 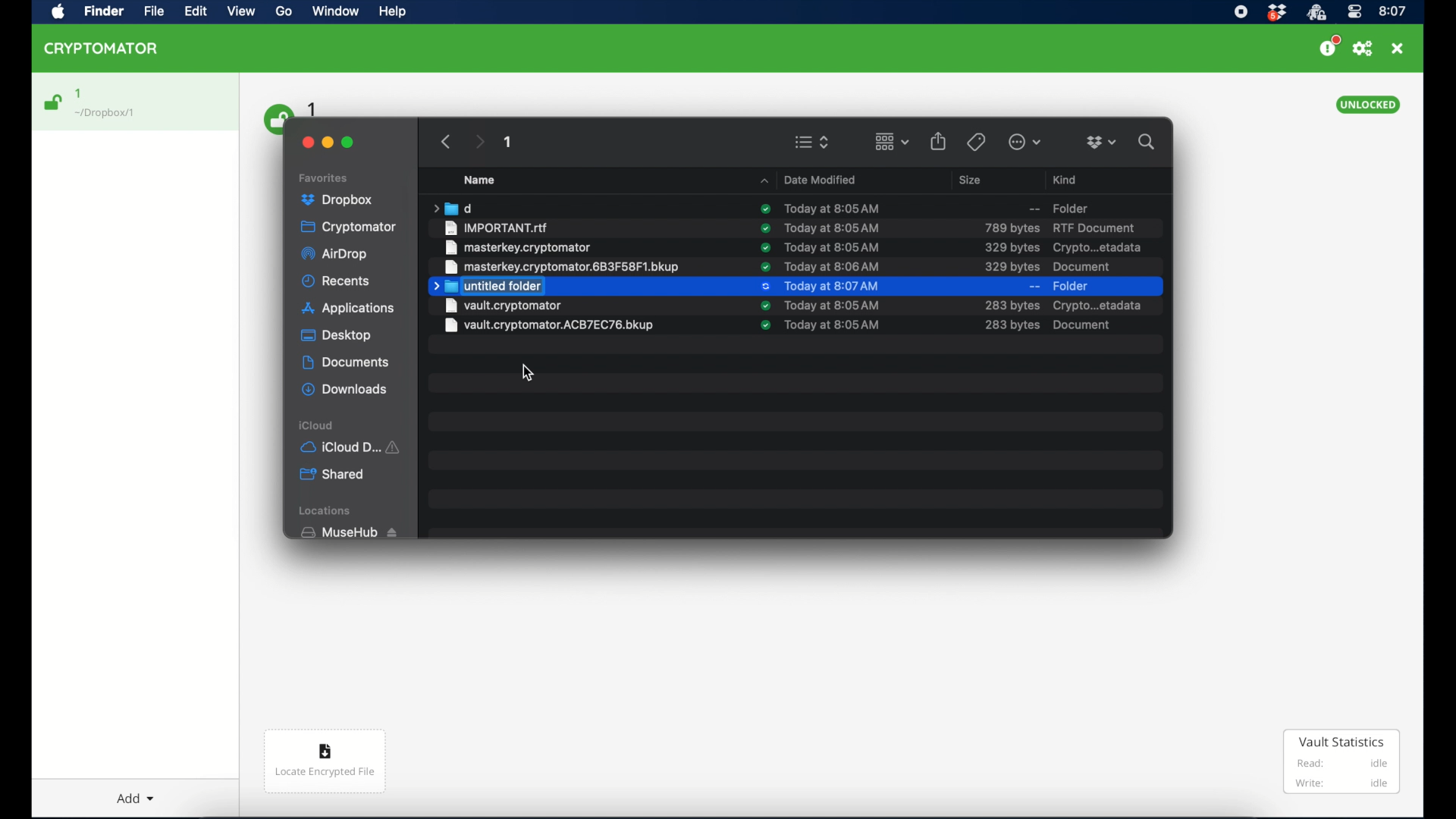 I want to click on unlocked, so click(x=1369, y=105).